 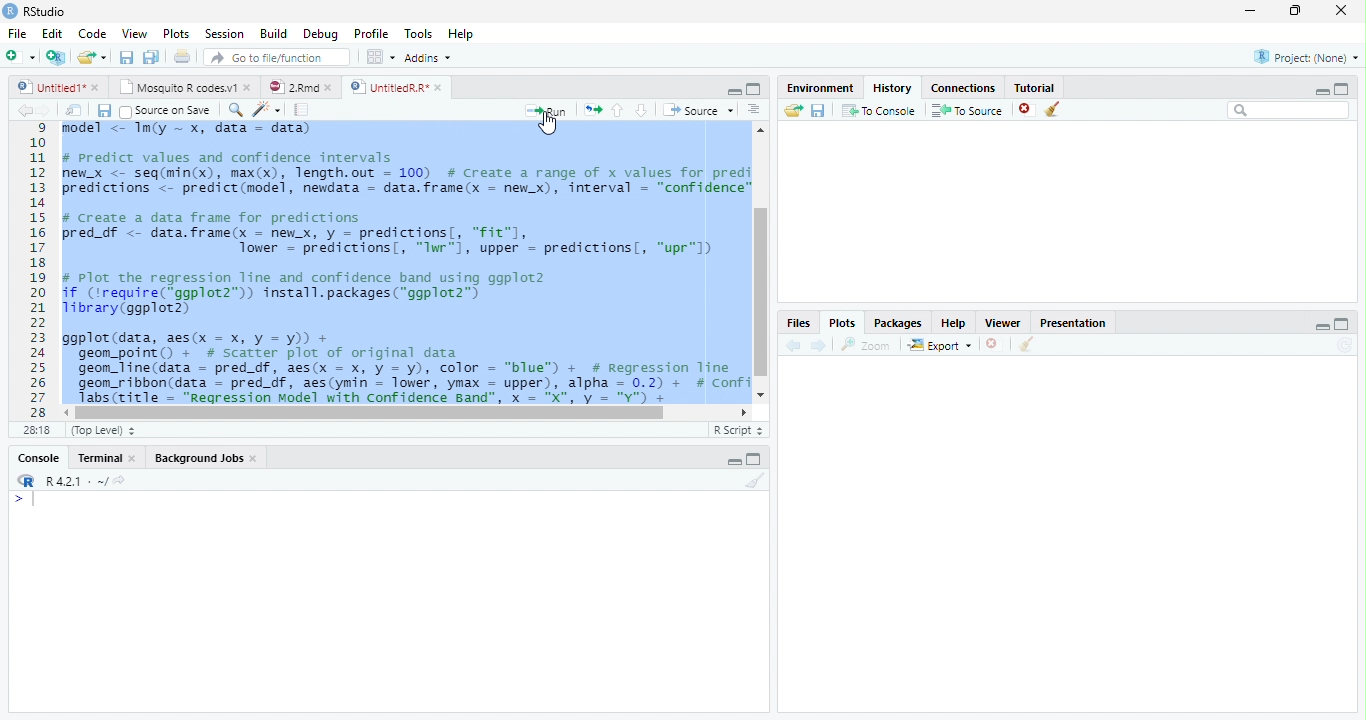 What do you see at coordinates (756, 481) in the screenshot?
I see `Clear console` at bounding box center [756, 481].